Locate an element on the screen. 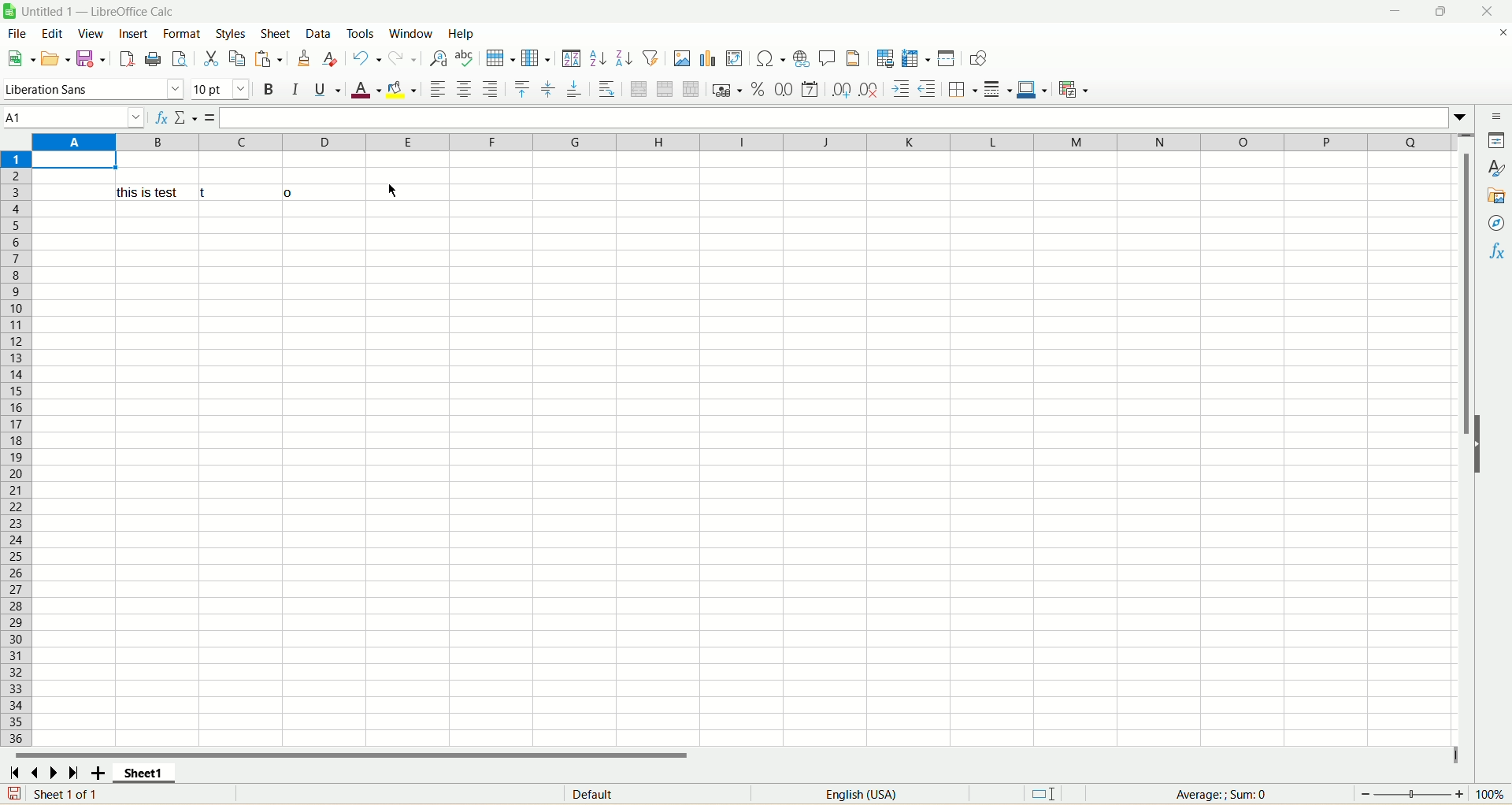 Image resolution: width=1512 pixels, height=805 pixels. cell name is located at coordinates (74, 118).